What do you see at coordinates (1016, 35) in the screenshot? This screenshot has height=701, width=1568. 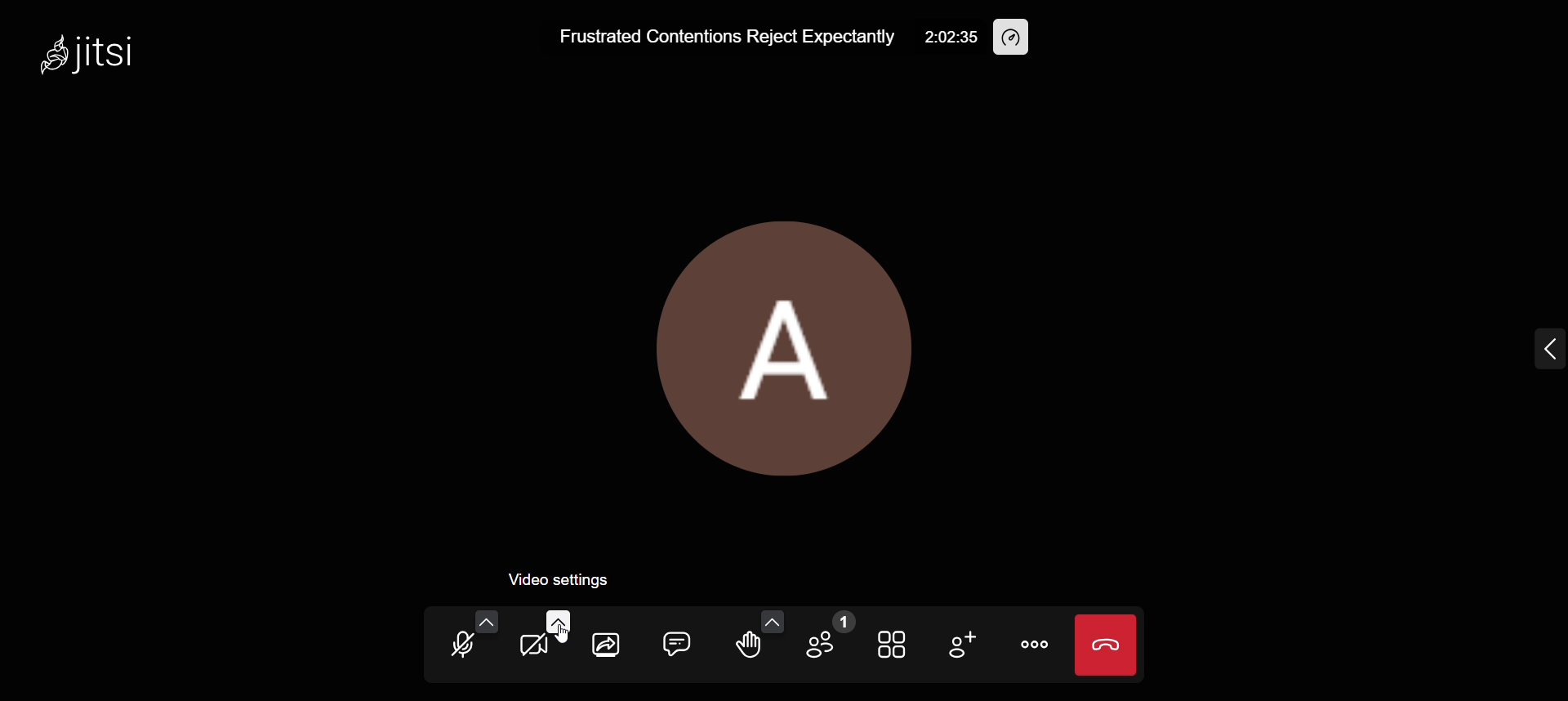 I see `performance setting` at bounding box center [1016, 35].